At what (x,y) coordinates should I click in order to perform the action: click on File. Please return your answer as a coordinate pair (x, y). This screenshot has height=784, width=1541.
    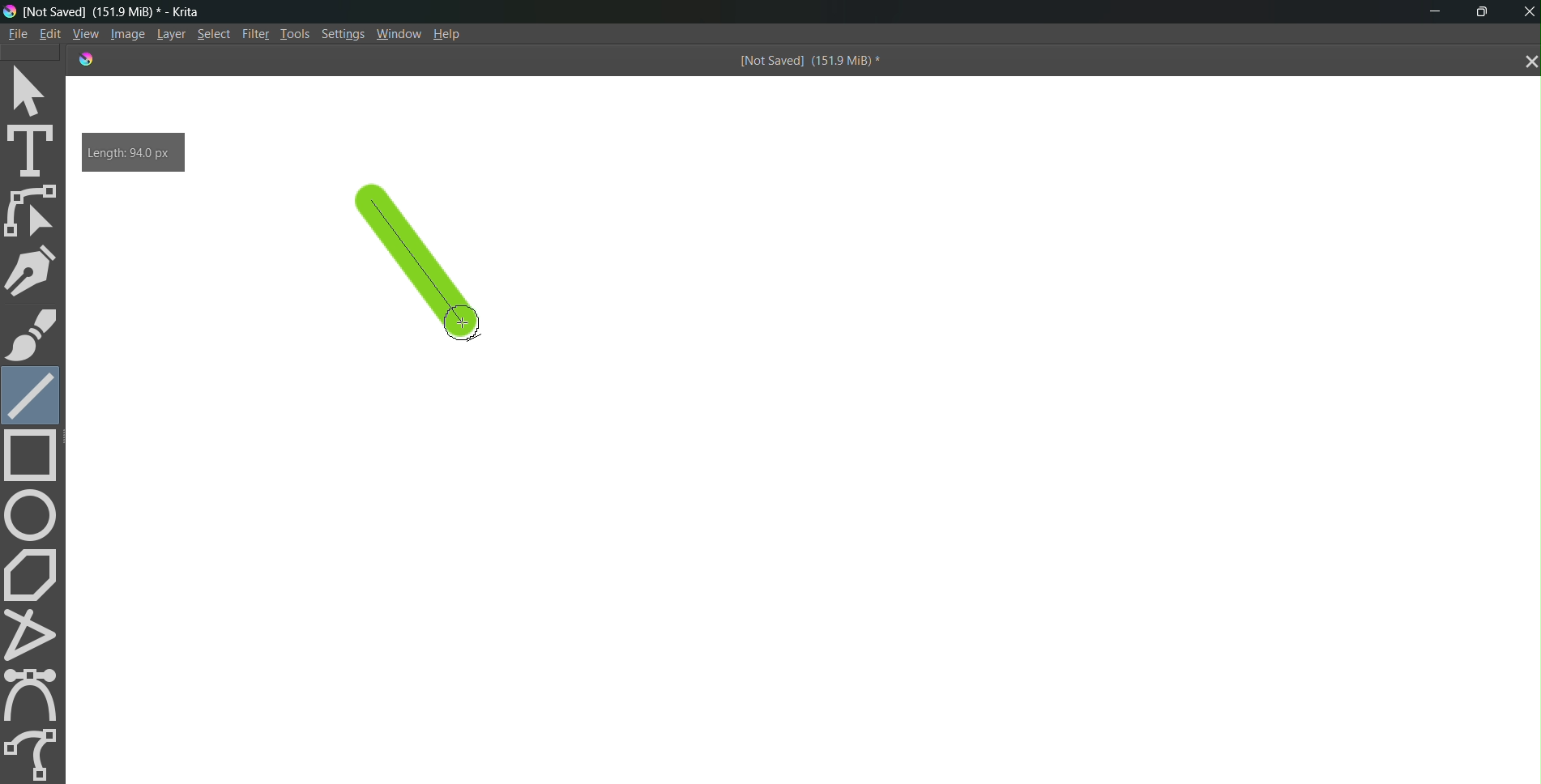
    Looking at the image, I should click on (16, 33).